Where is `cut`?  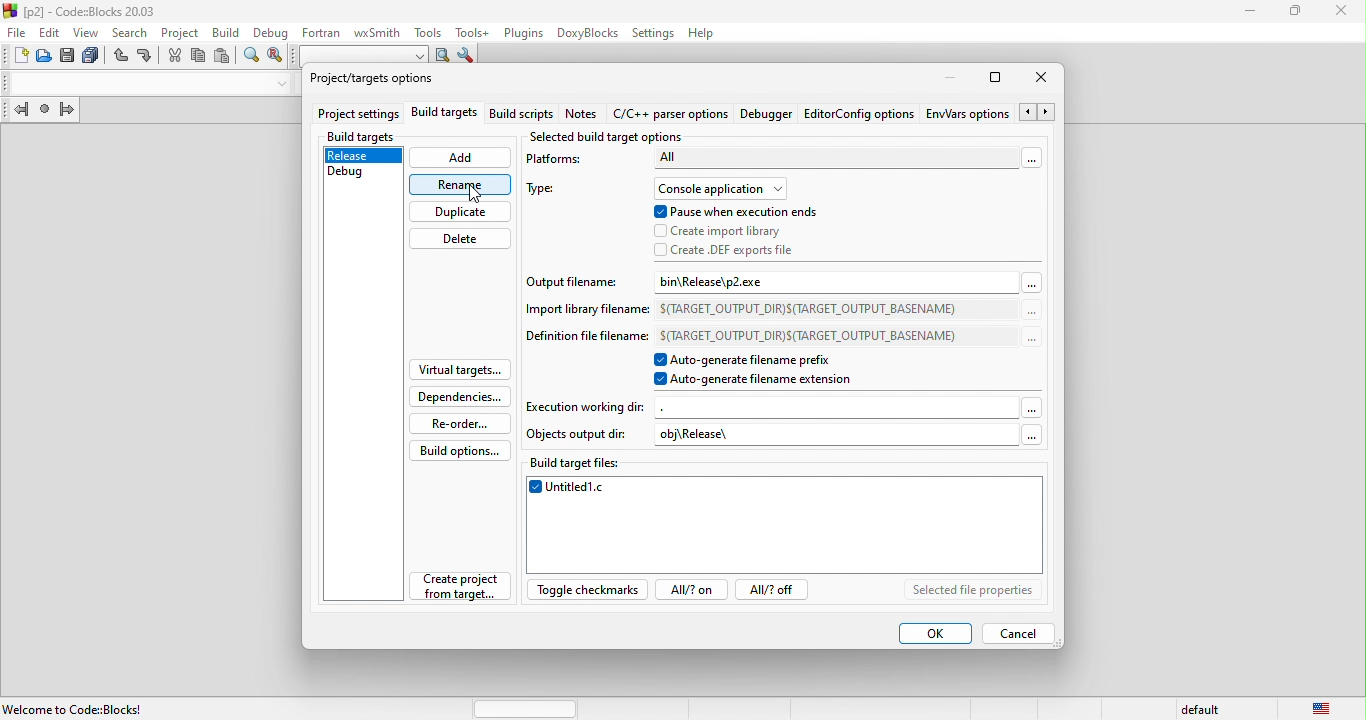 cut is located at coordinates (173, 56).